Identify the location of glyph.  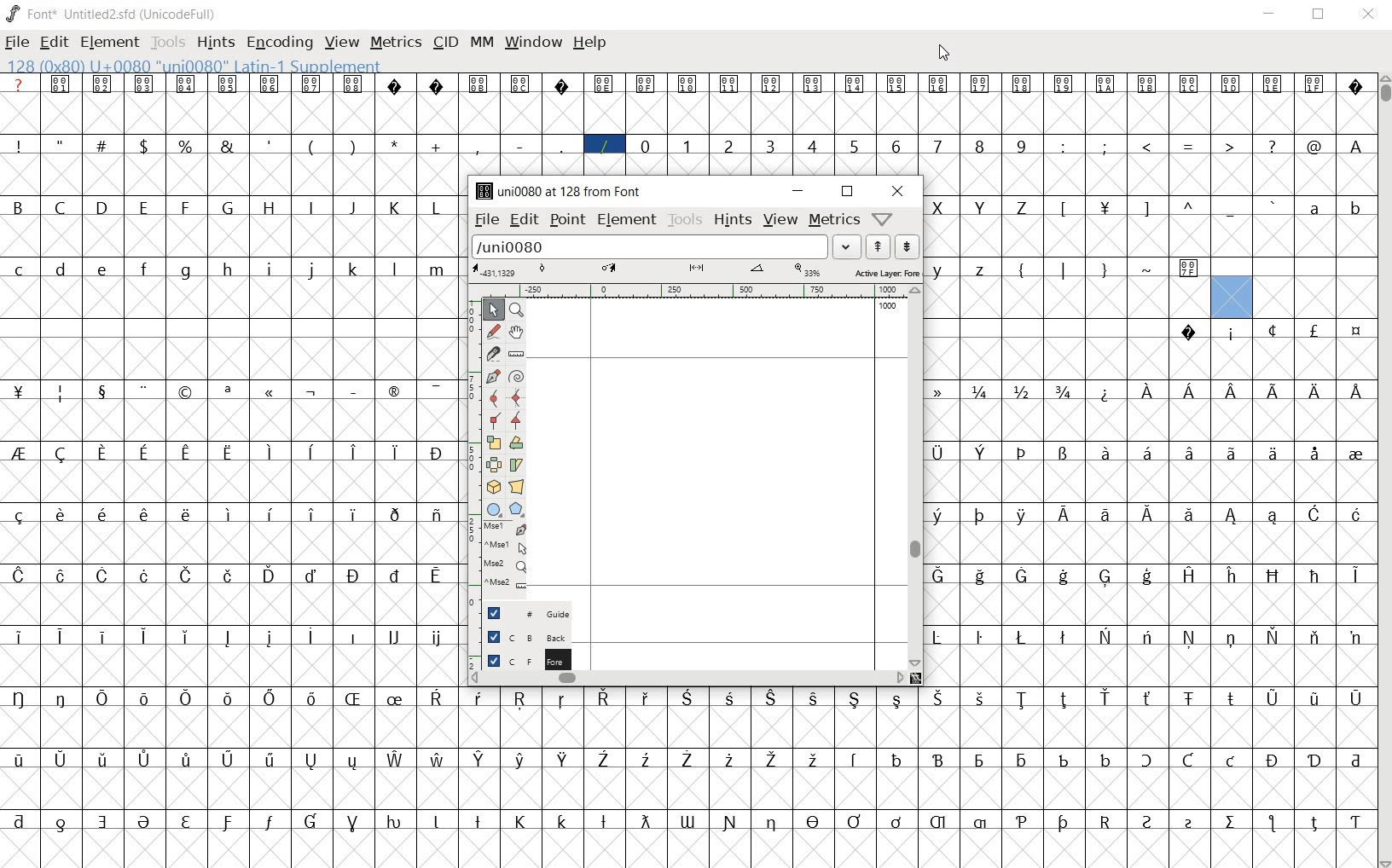
(1022, 84).